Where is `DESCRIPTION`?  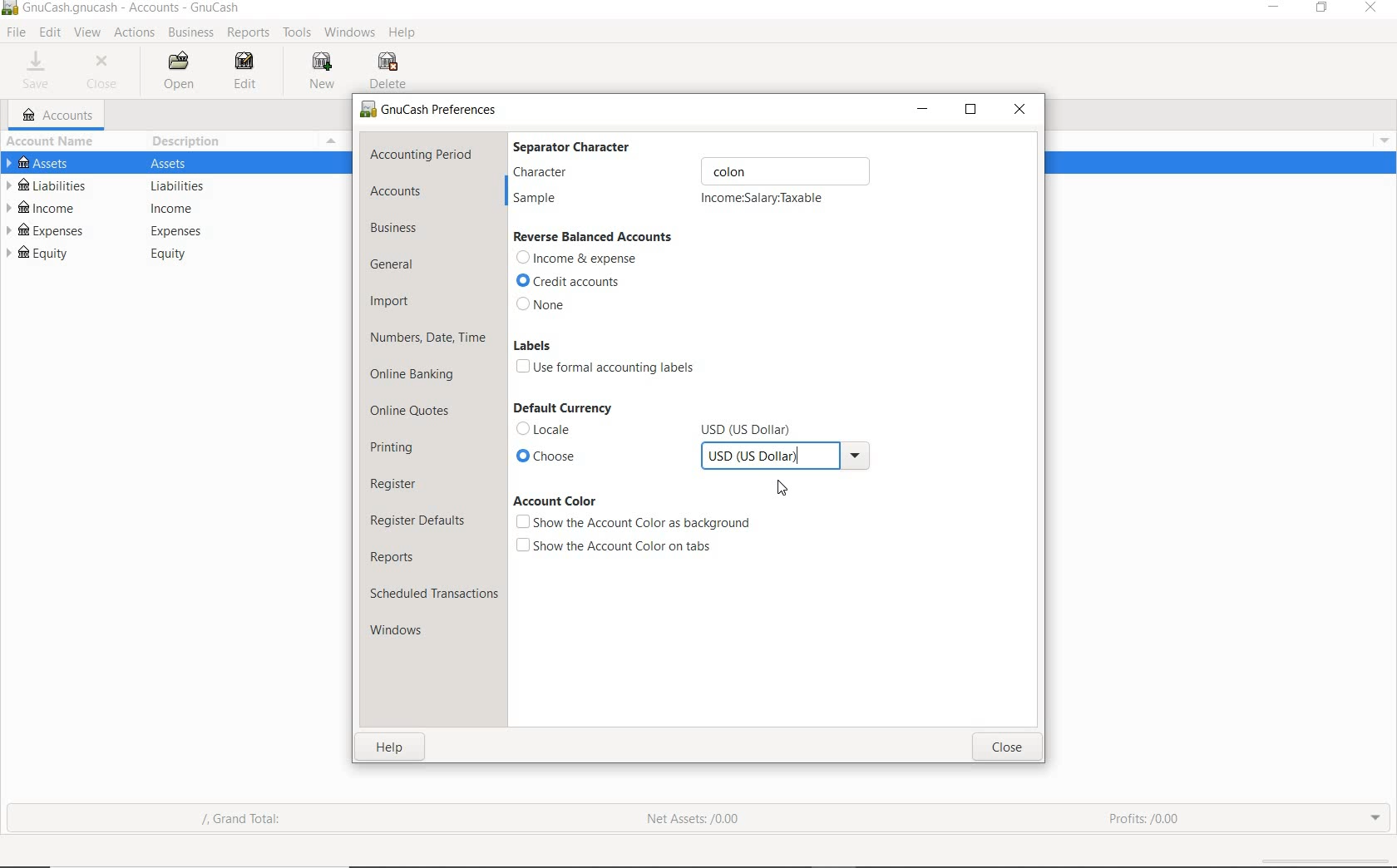 DESCRIPTION is located at coordinates (195, 143).